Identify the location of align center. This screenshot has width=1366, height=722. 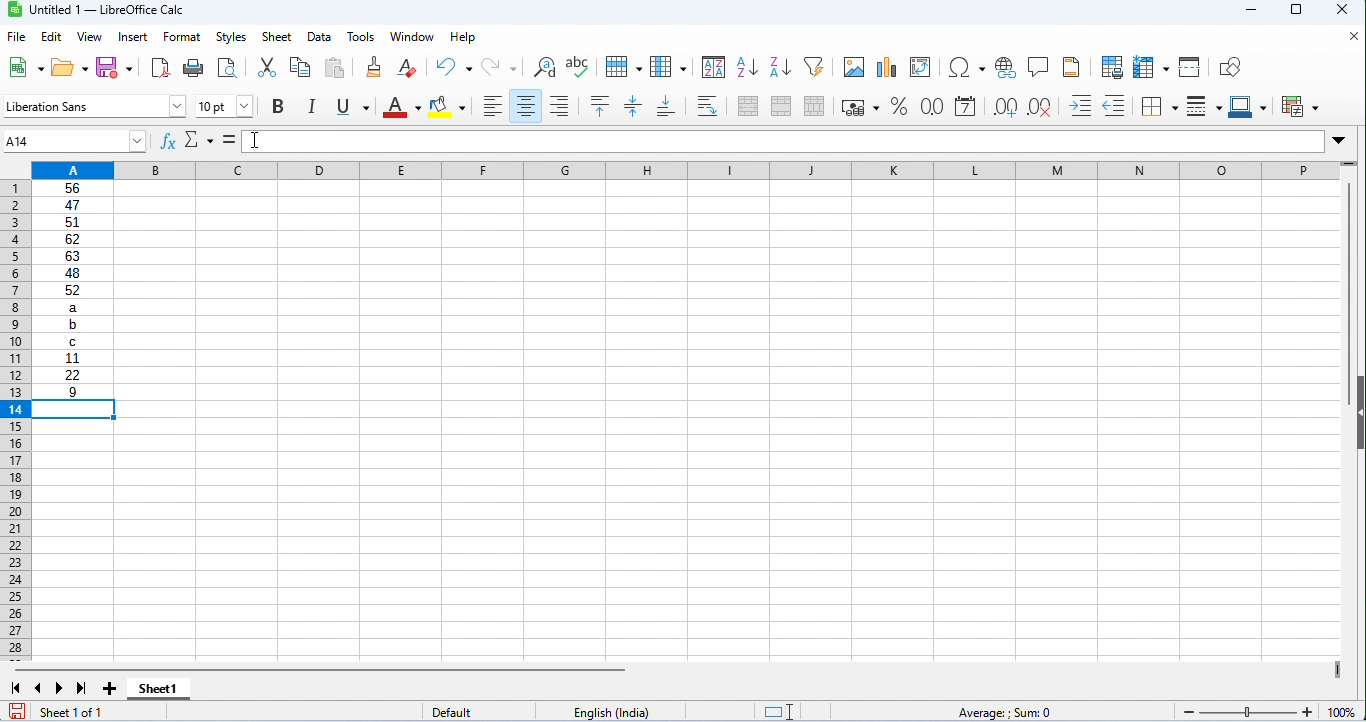
(524, 106).